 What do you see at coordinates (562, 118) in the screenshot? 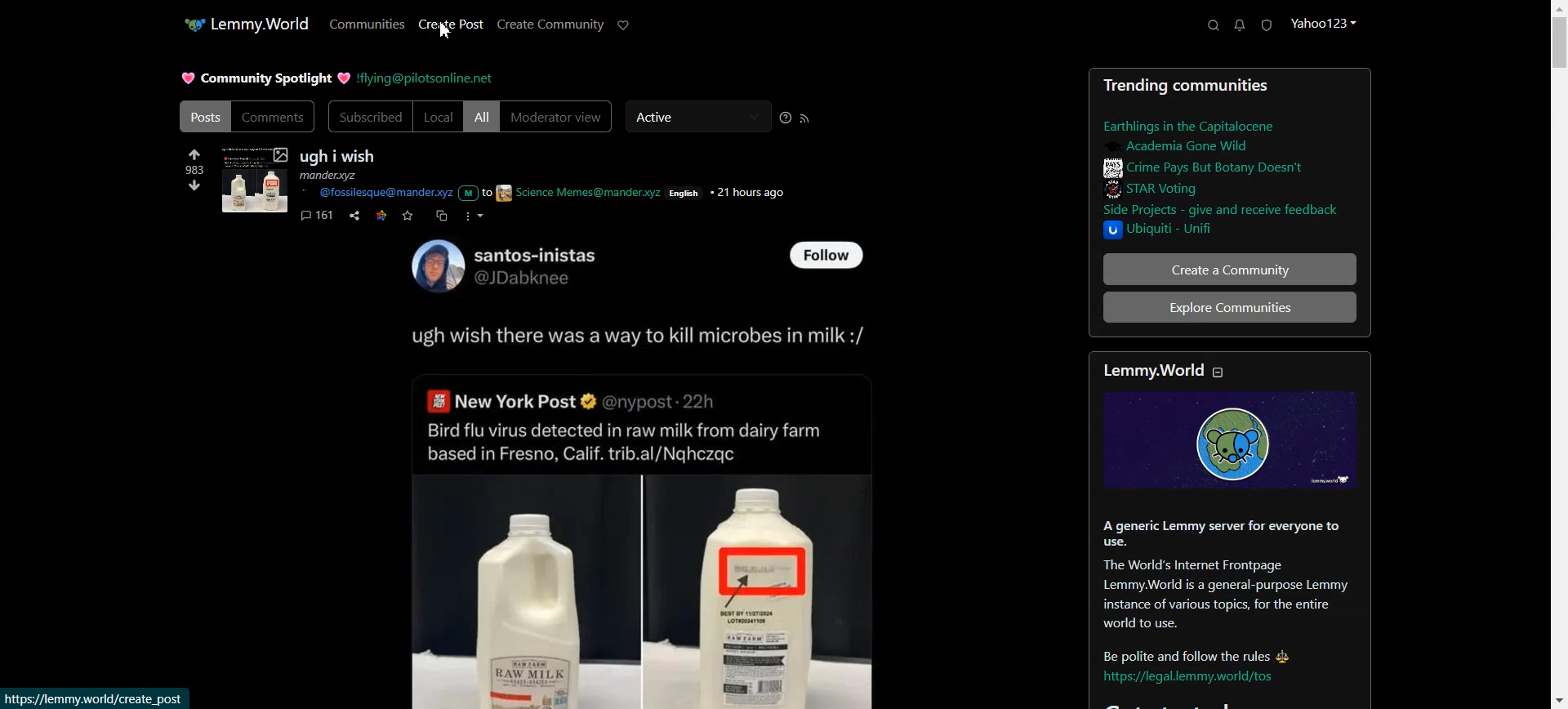
I see `Moderator view` at bounding box center [562, 118].